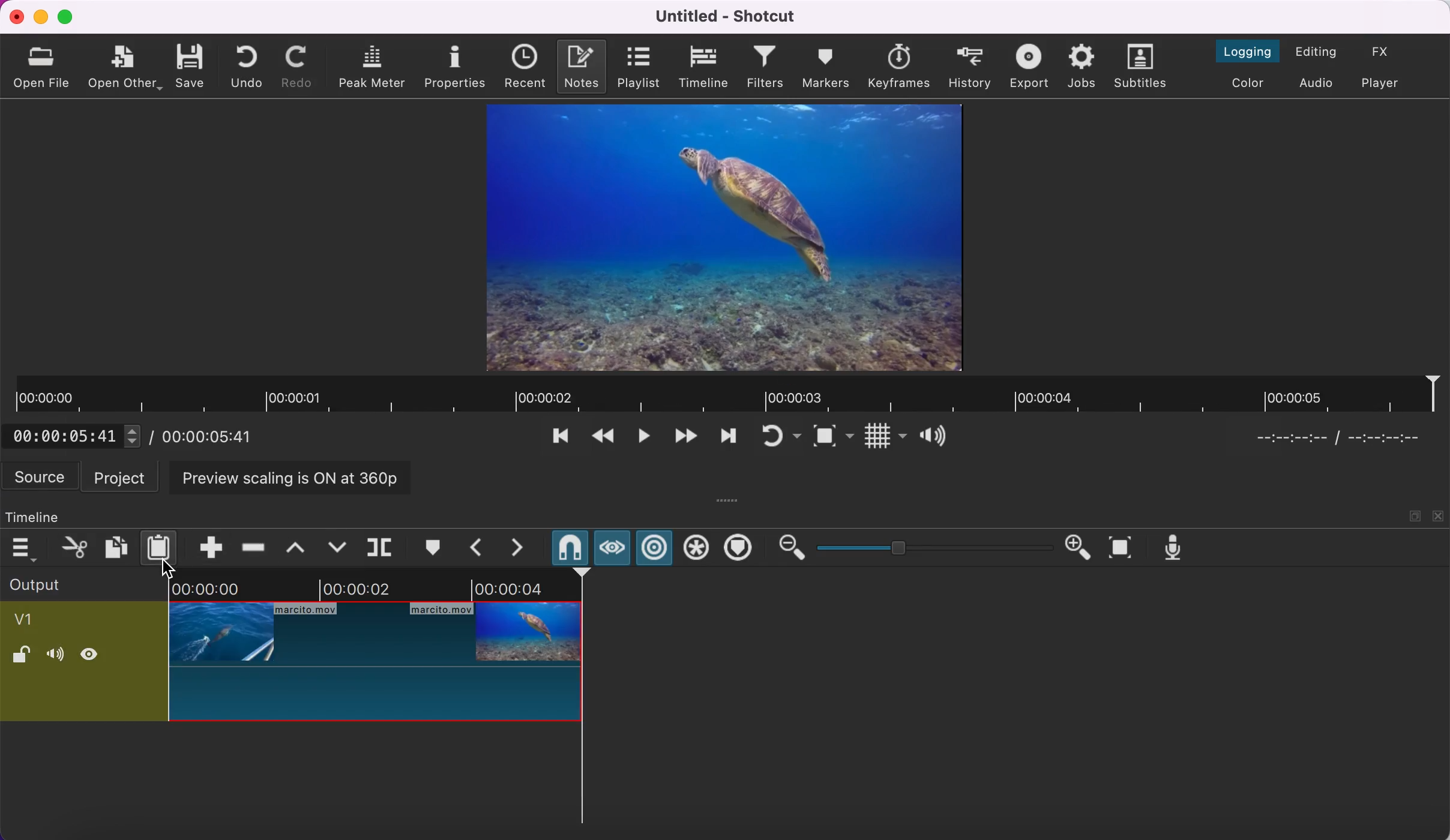 The width and height of the screenshot is (1450, 840). Describe the element at coordinates (1415, 515) in the screenshot. I see `maximize` at that location.